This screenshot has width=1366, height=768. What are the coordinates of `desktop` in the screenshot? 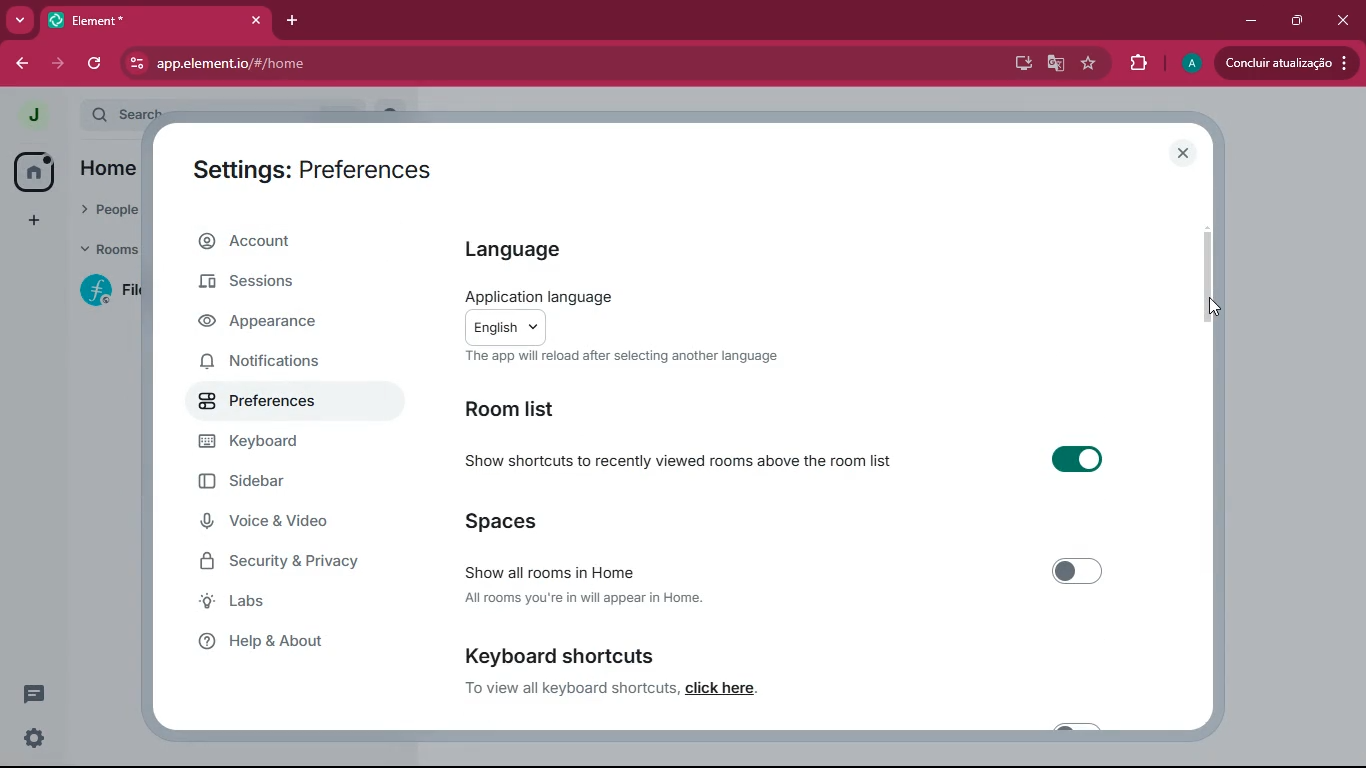 It's located at (1019, 64).